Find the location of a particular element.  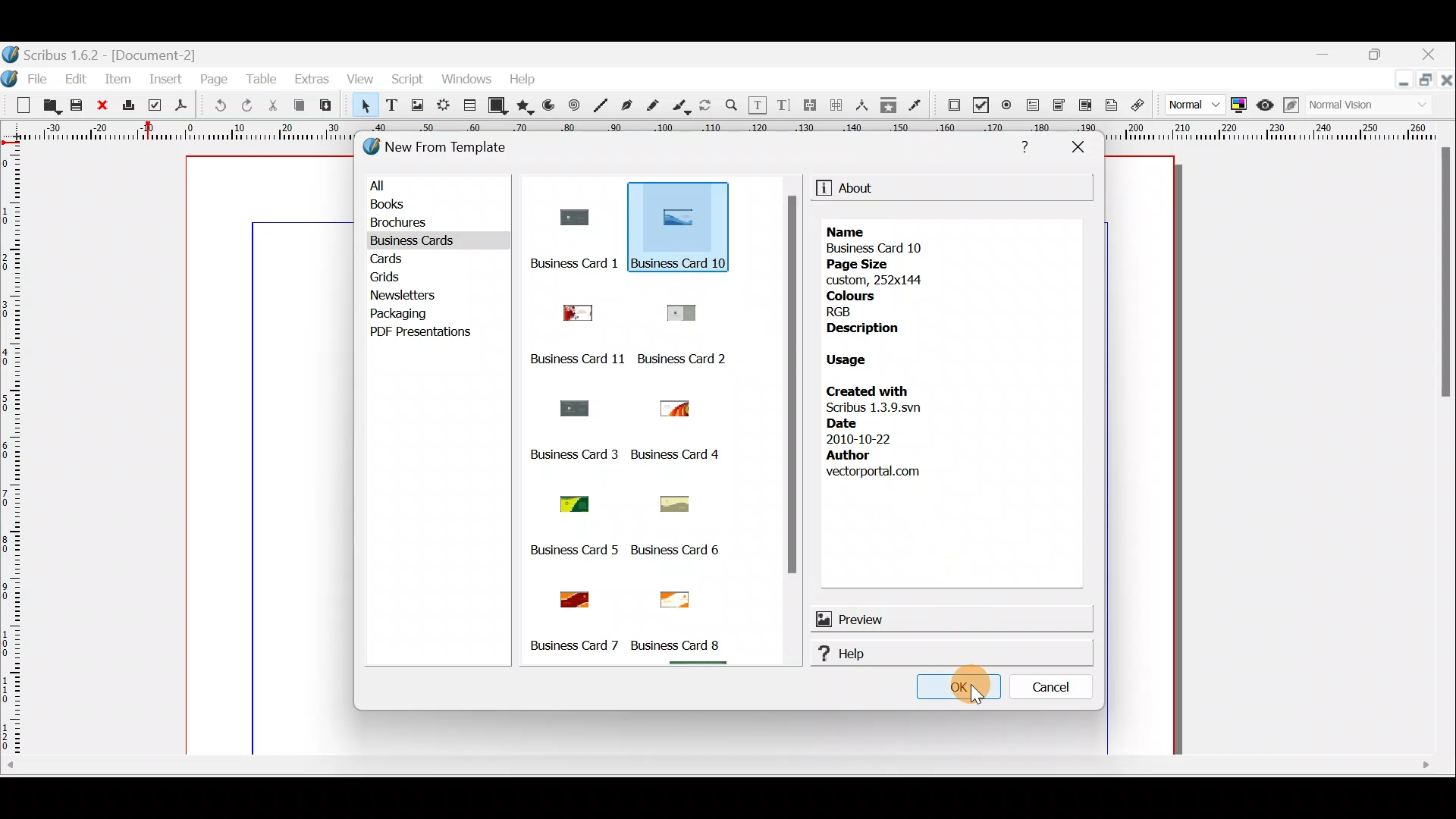

Text annotation is located at coordinates (1110, 106).